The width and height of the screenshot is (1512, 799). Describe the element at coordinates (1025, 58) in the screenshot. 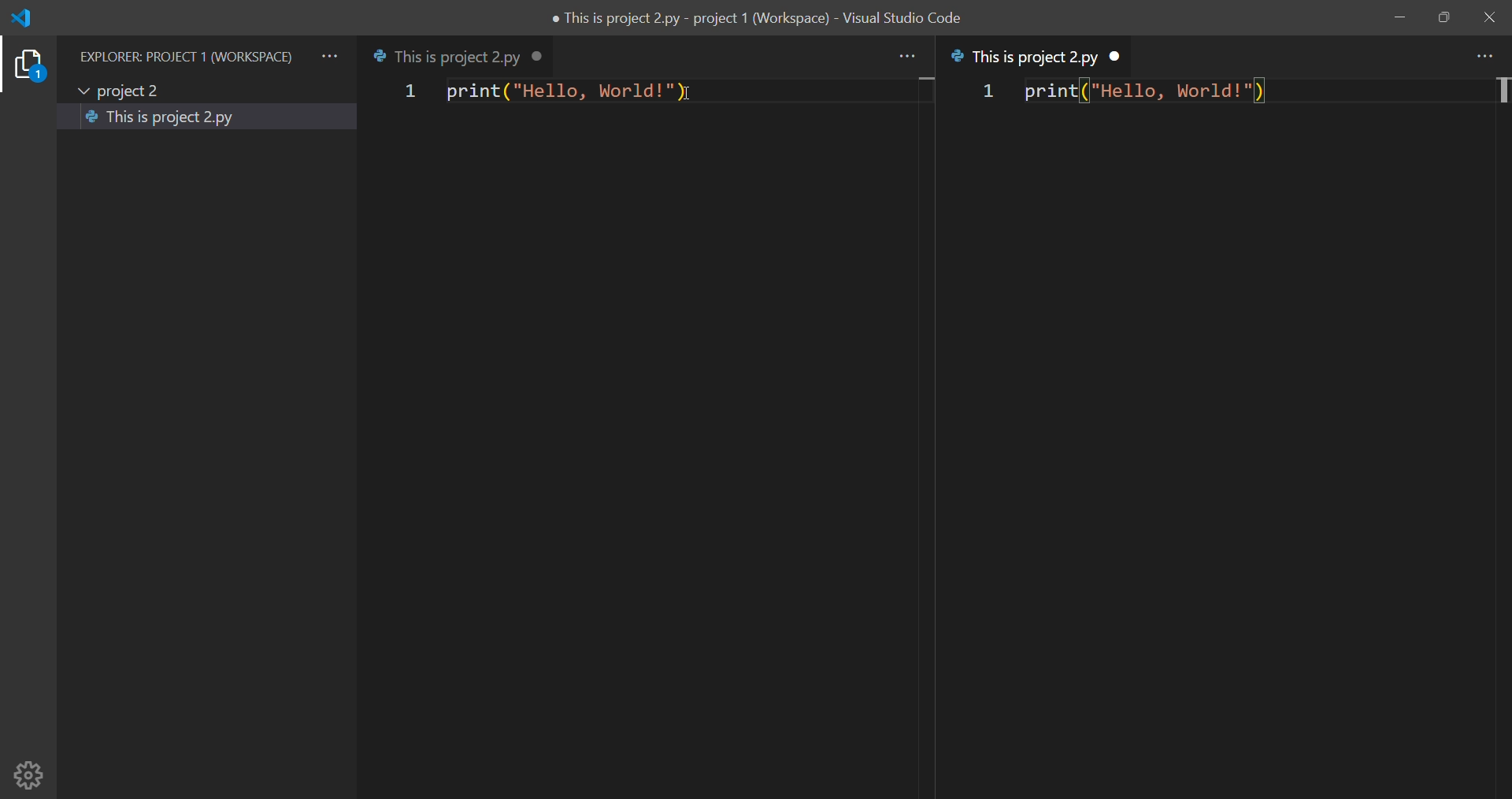

I see `This is project 2.py` at that location.